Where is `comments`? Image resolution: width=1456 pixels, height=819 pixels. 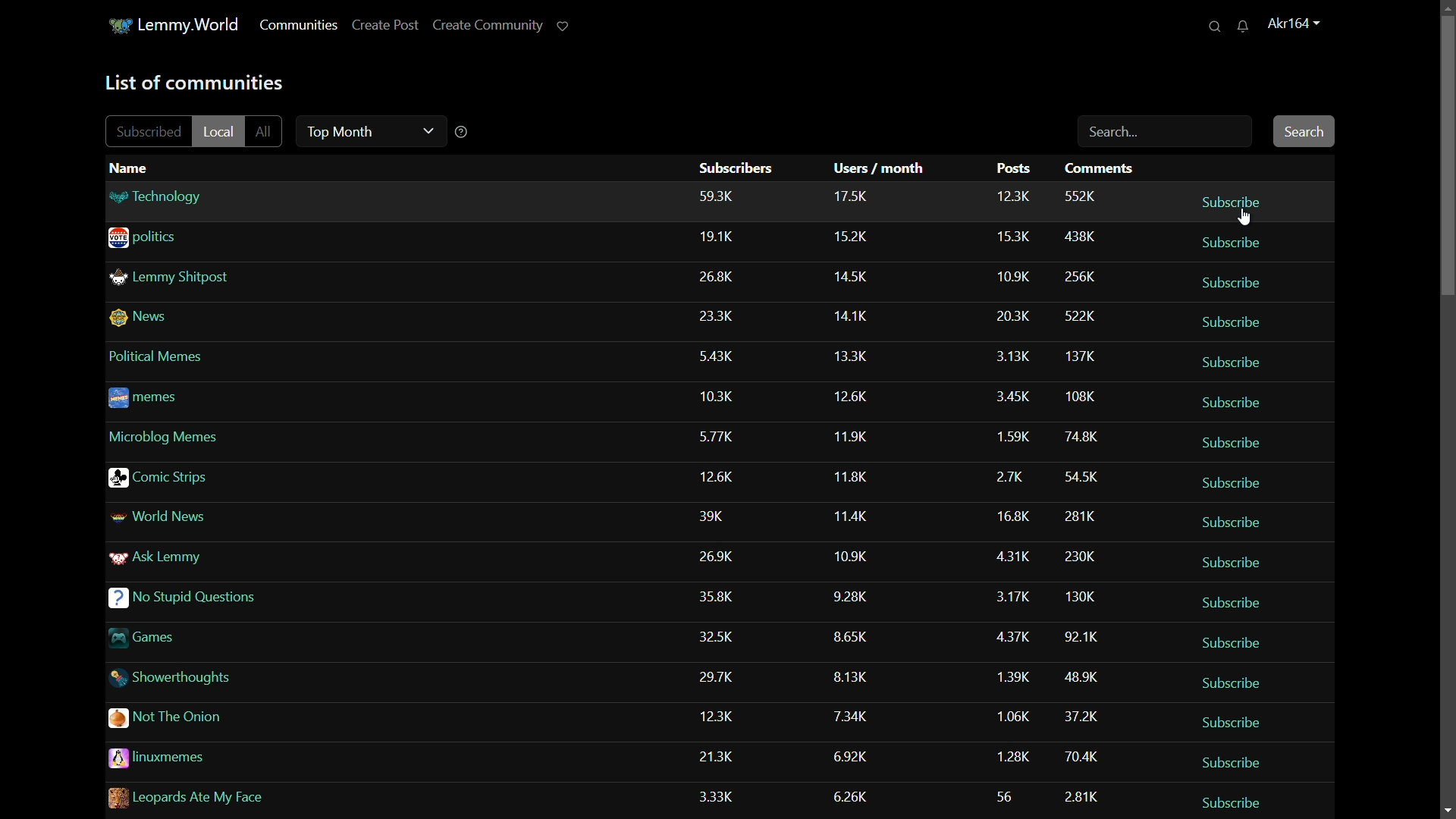
comments is located at coordinates (1082, 795).